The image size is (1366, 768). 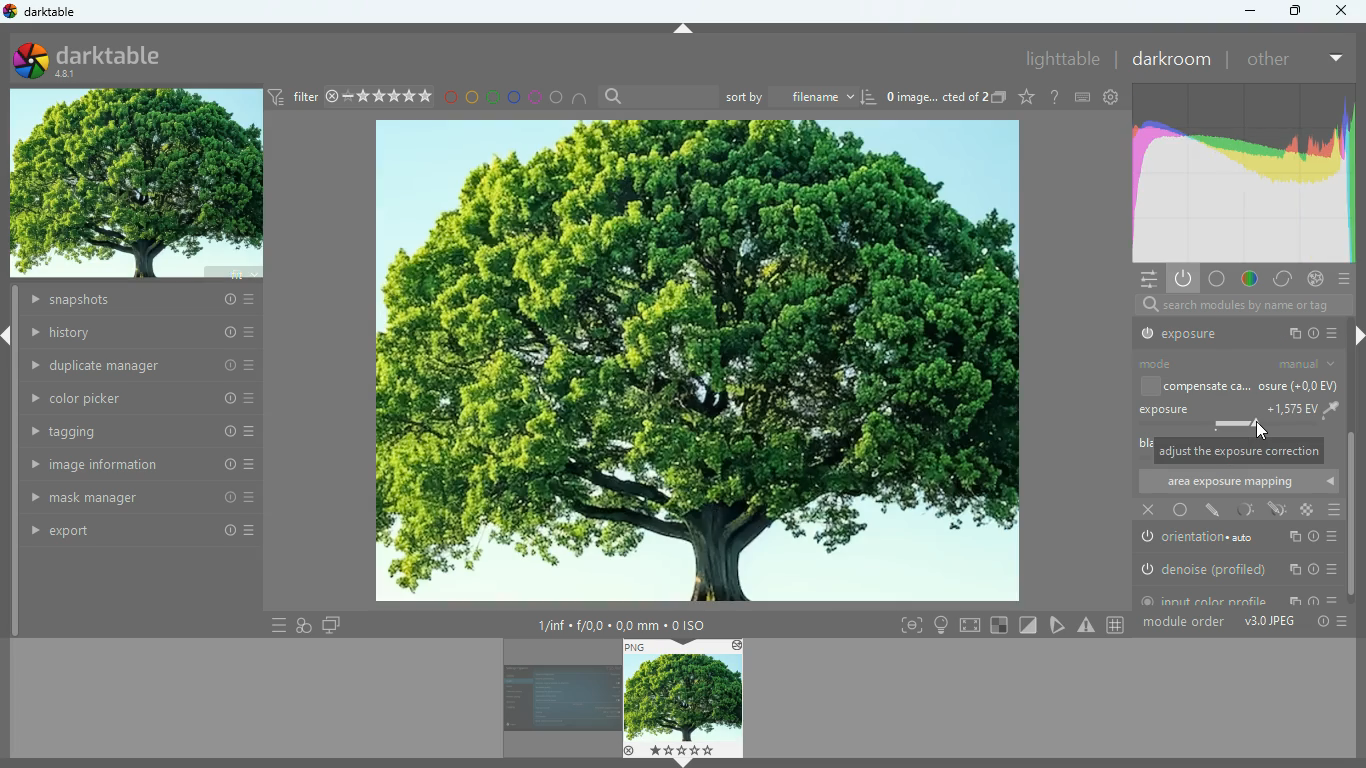 What do you see at coordinates (1246, 362) in the screenshot?
I see `mode` at bounding box center [1246, 362].